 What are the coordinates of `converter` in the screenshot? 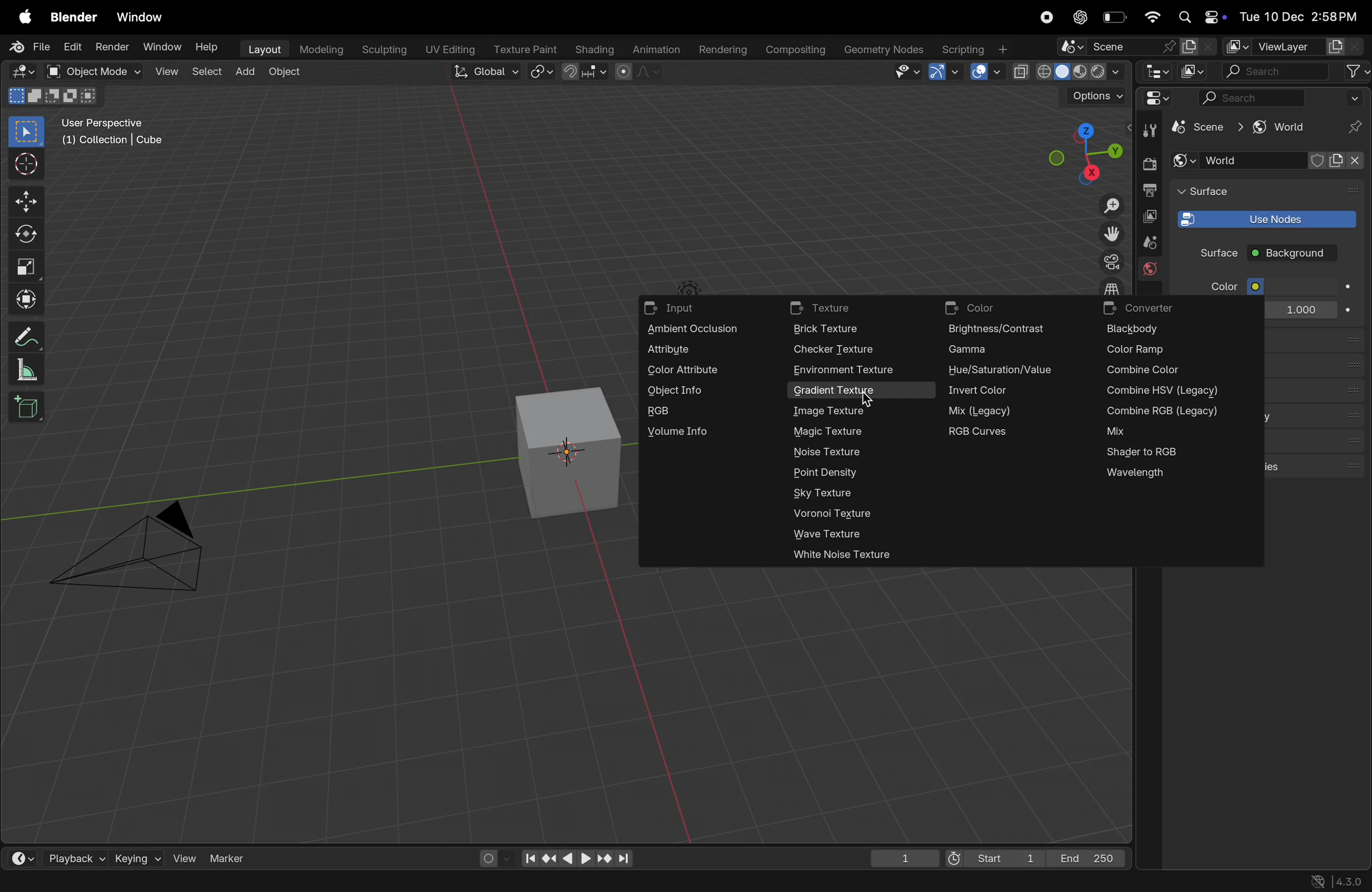 It's located at (1156, 307).